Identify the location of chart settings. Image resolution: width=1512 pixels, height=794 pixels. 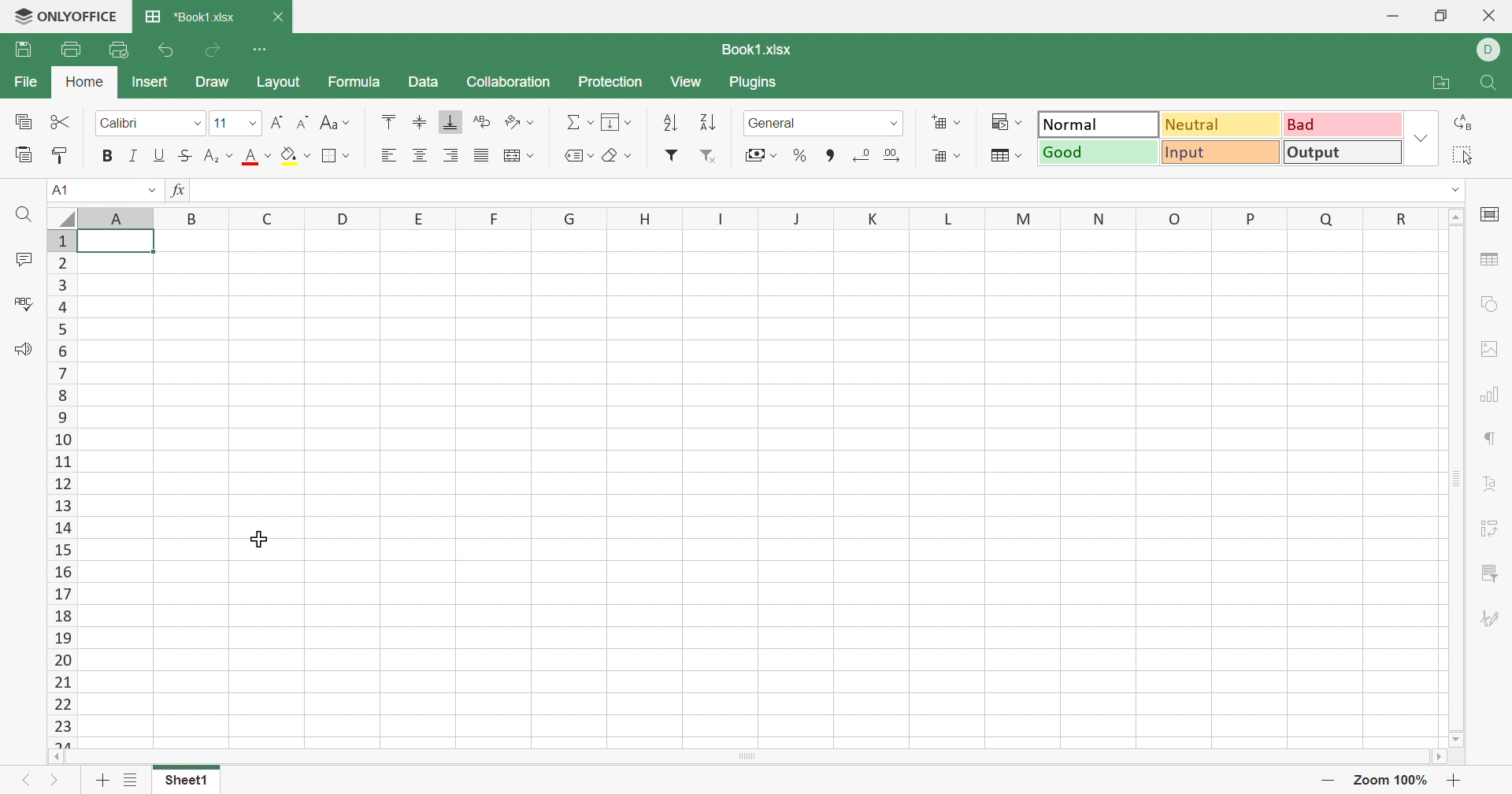
(1492, 394).